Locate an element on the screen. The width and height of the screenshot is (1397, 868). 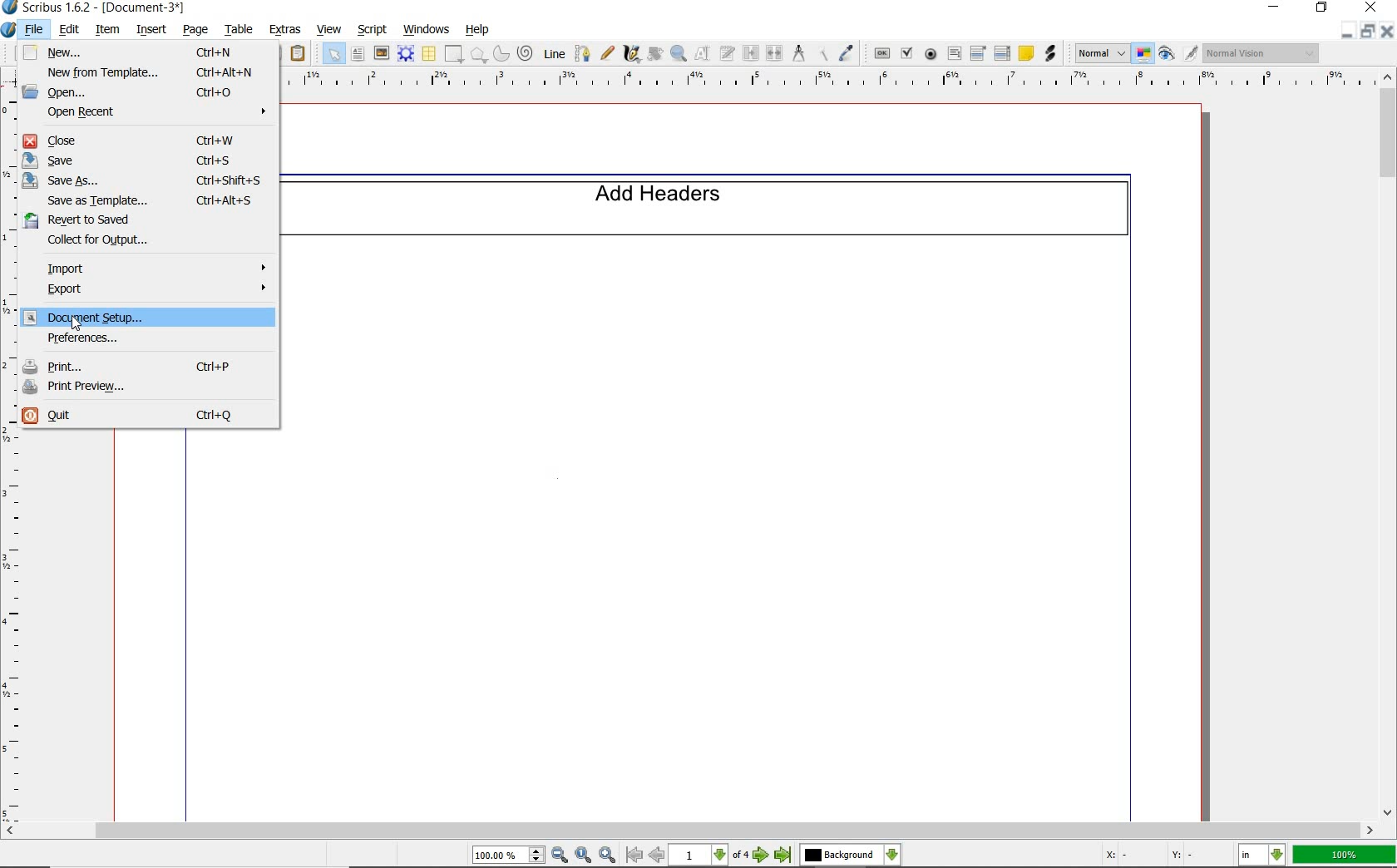
shape is located at coordinates (455, 55).